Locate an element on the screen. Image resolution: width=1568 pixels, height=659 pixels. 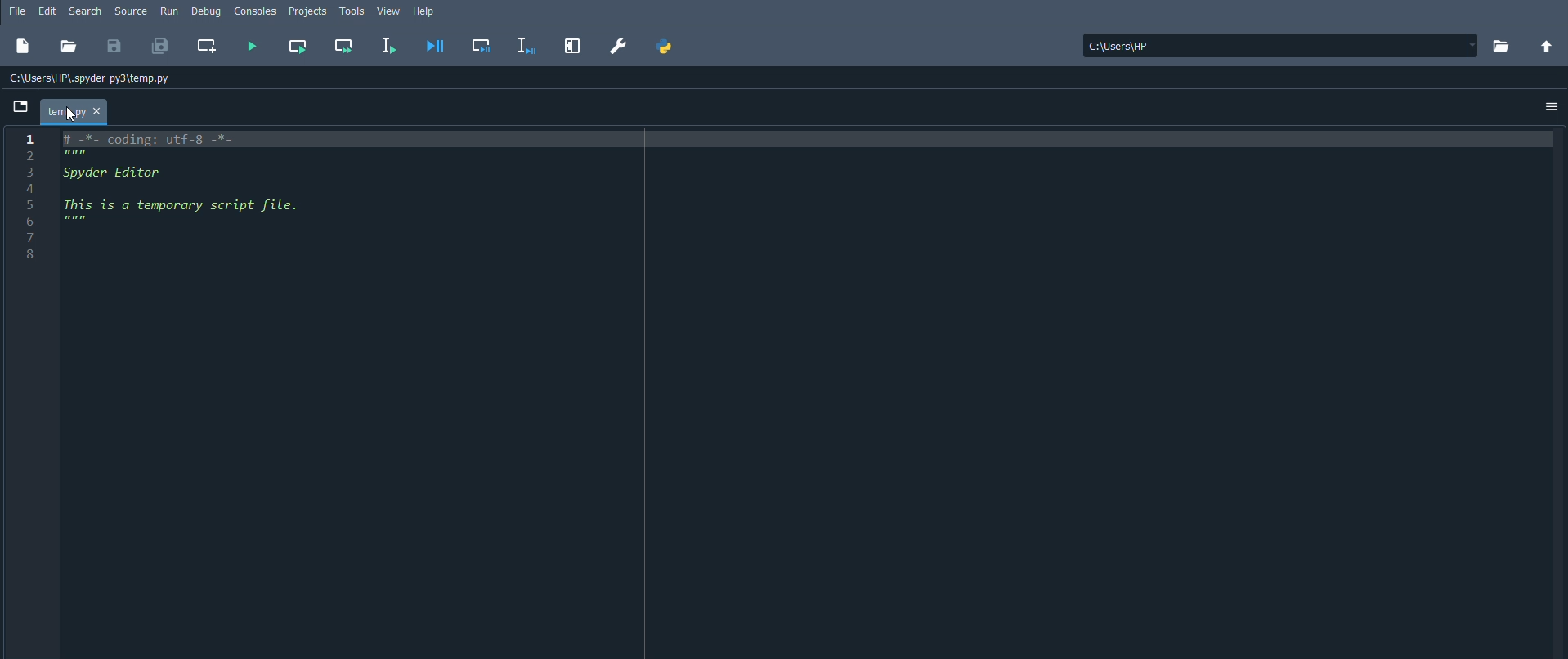
New file is located at coordinates (24, 47).